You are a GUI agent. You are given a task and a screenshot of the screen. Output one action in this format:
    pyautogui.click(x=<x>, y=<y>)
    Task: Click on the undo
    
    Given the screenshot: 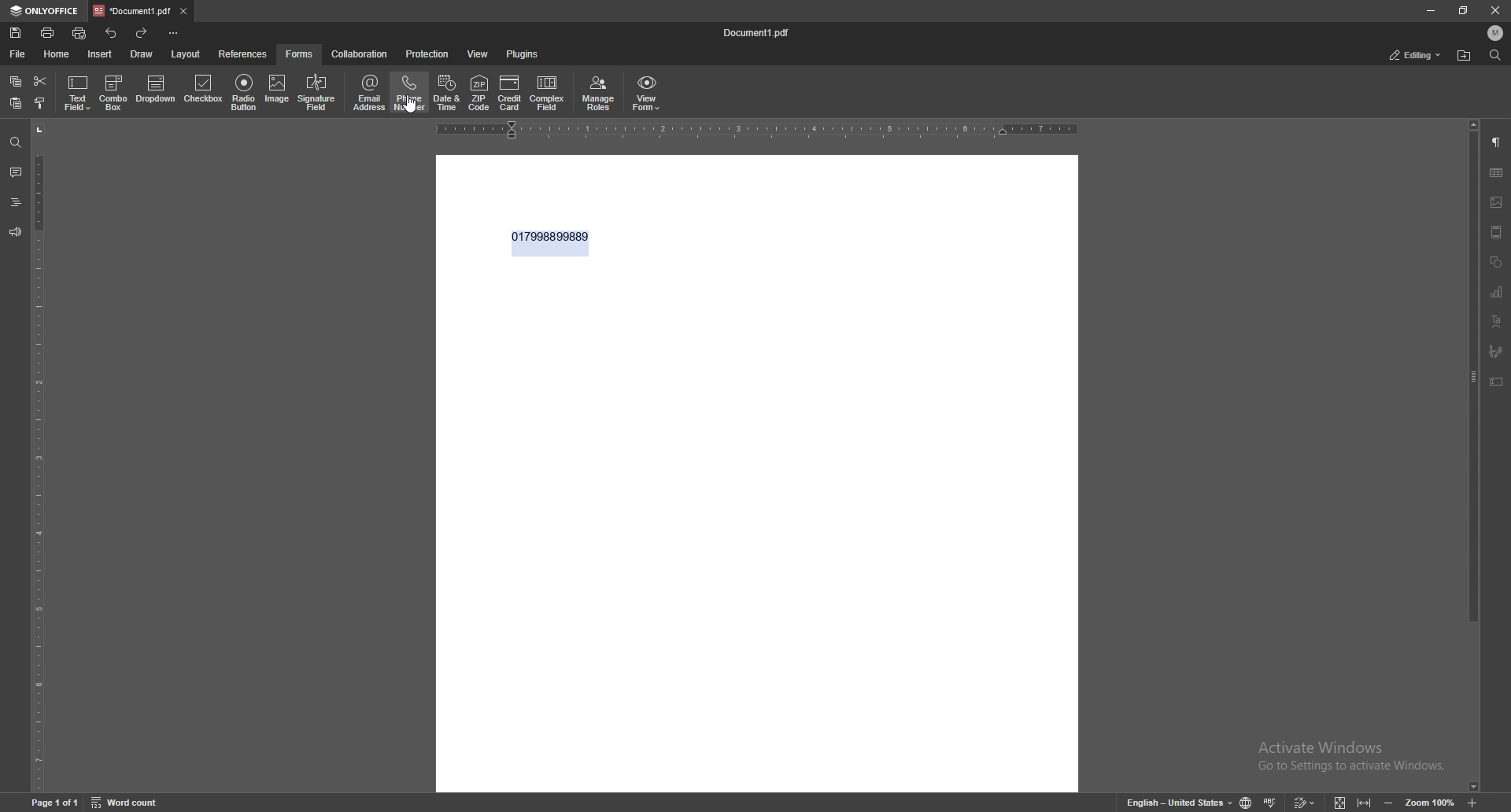 What is the action you would take?
    pyautogui.click(x=112, y=34)
    